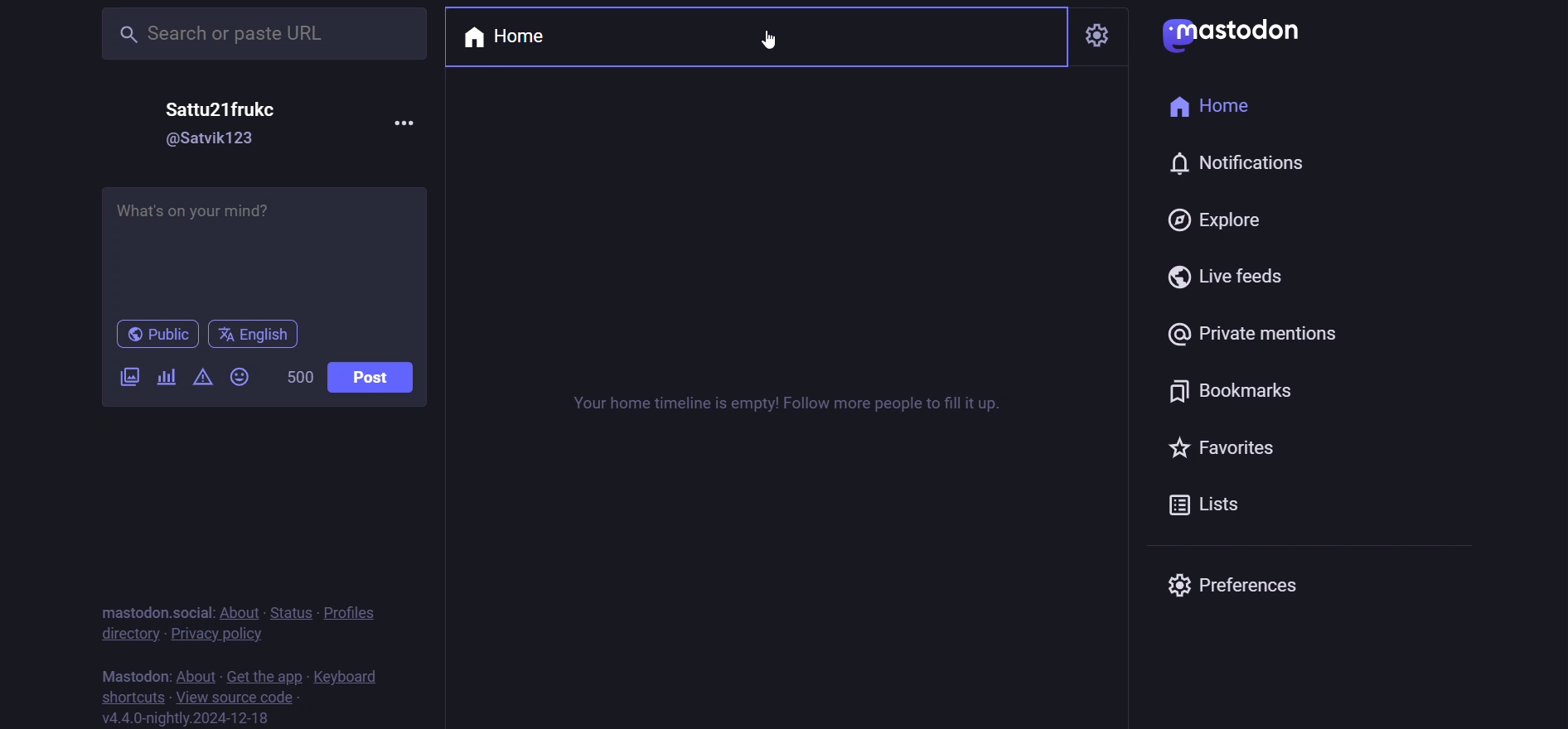 This screenshot has height=729, width=1568. What do you see at coordinates (1217, 108) in the screenshot?
I see `home` at bounding box center [1217, 108].